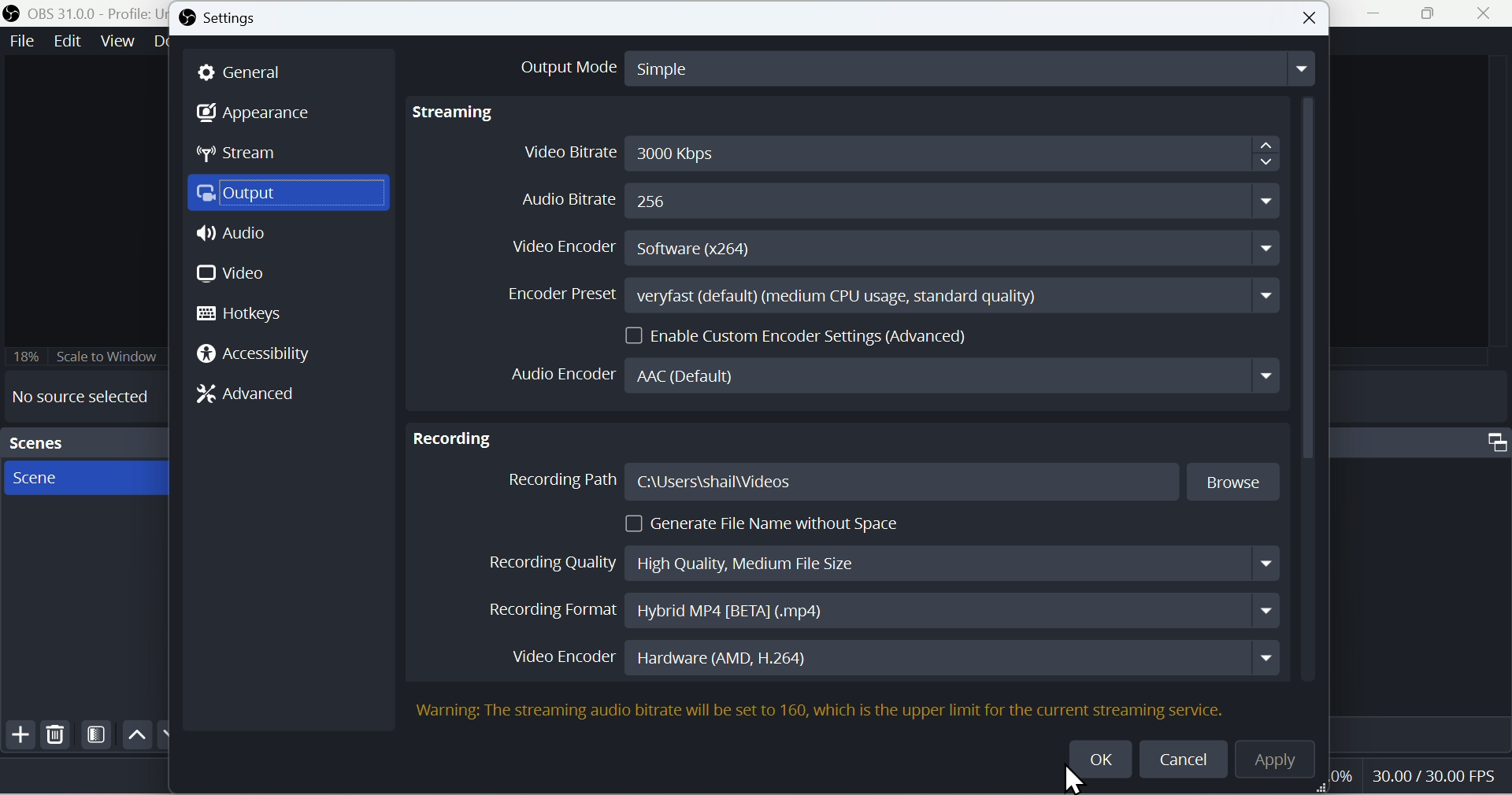 Image resolution: width=1512 pixels, height=795 pixels. I want to click on Mouse, so click(1077, 780).